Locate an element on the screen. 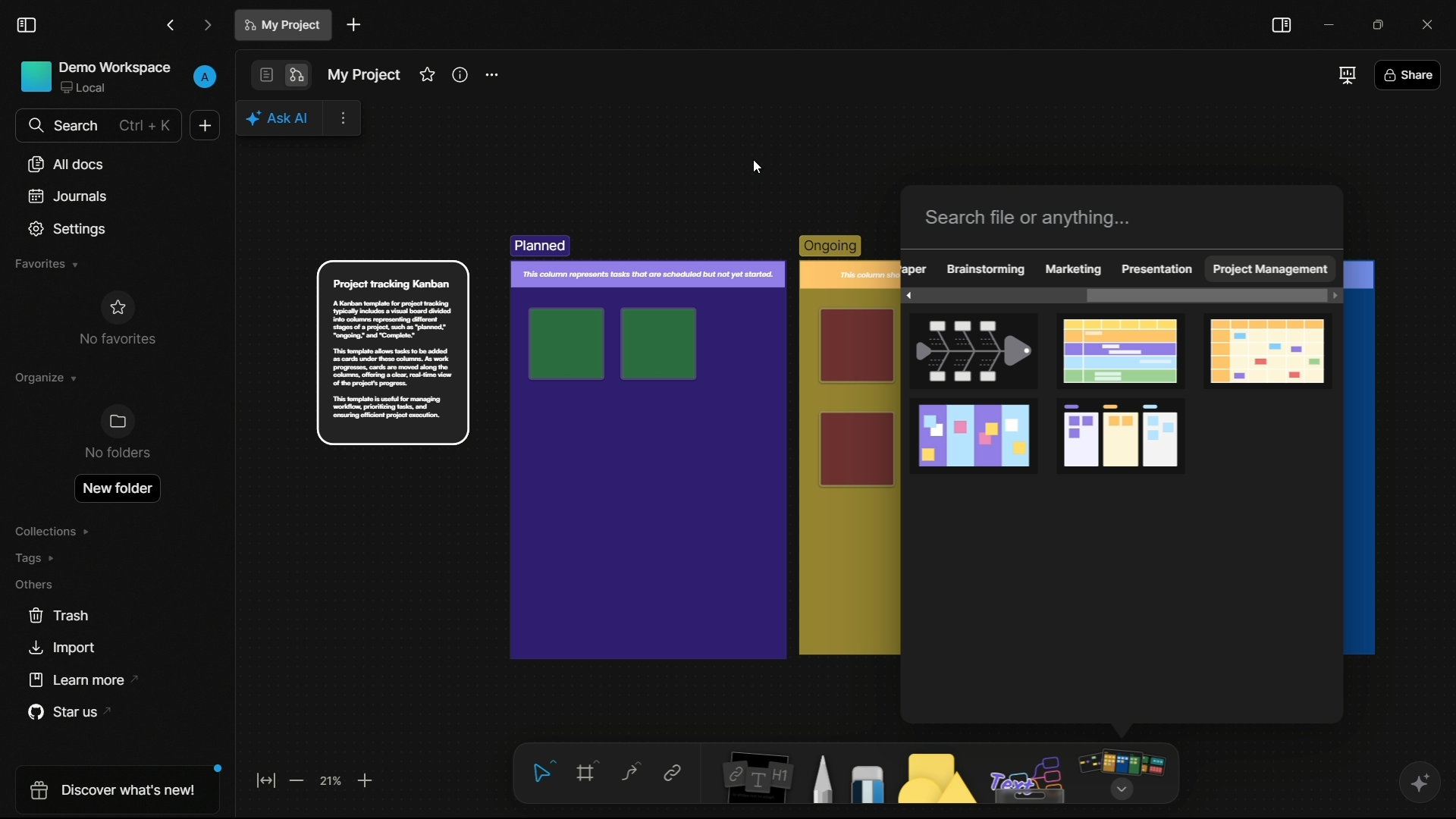 The height and width of the screenshot is (819, 1456). scroll right is located at coordinates (1332, 295).